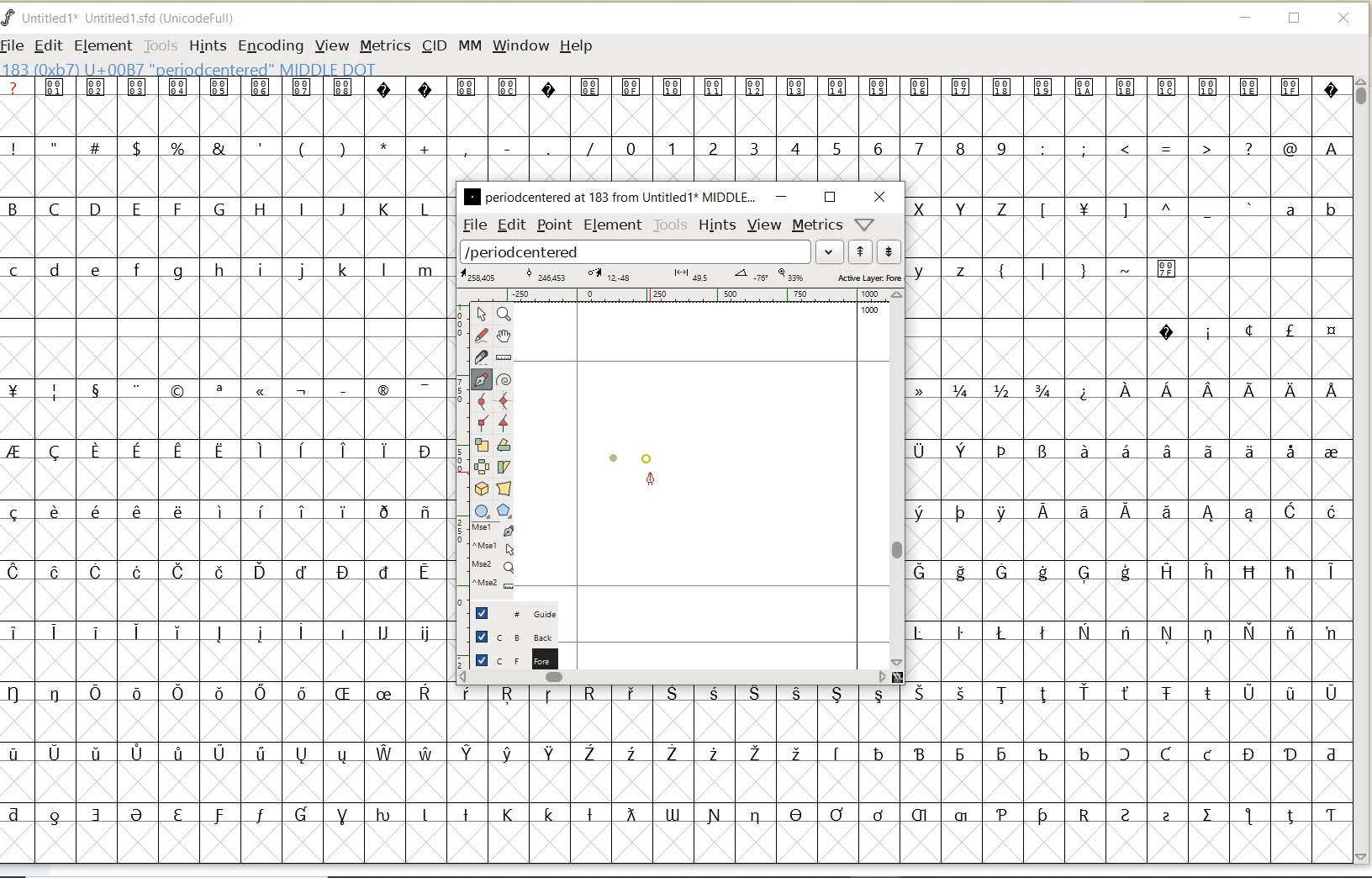 The image size is (1372, 878). Describe the element at coordinates (504, 378) in the screenshot. I see `change whether spiro is active or not` at that location.